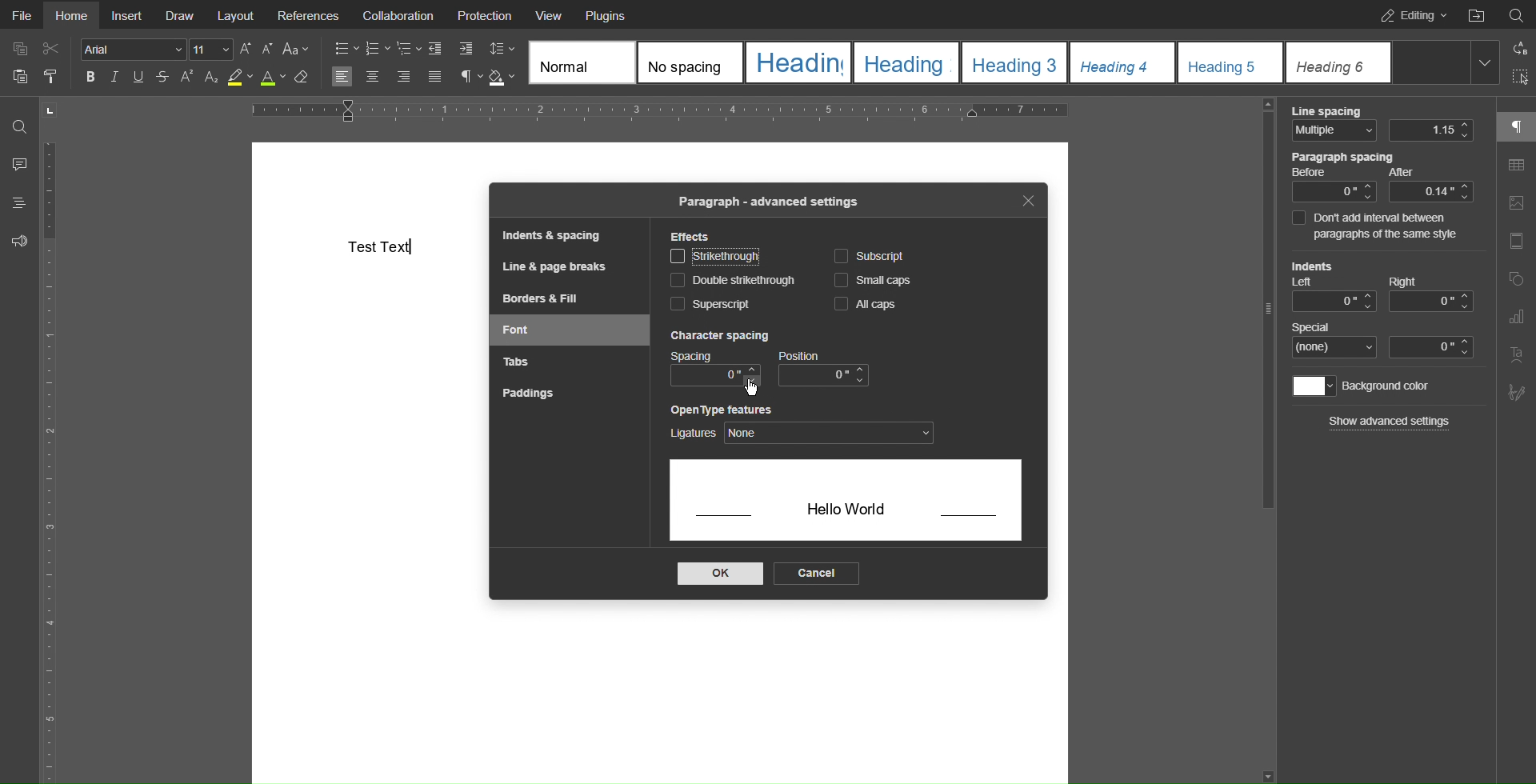  What do you see at coordinates (1515, 48) in the screenshot?
I see `Replace` at bounding box center [1515, 48].